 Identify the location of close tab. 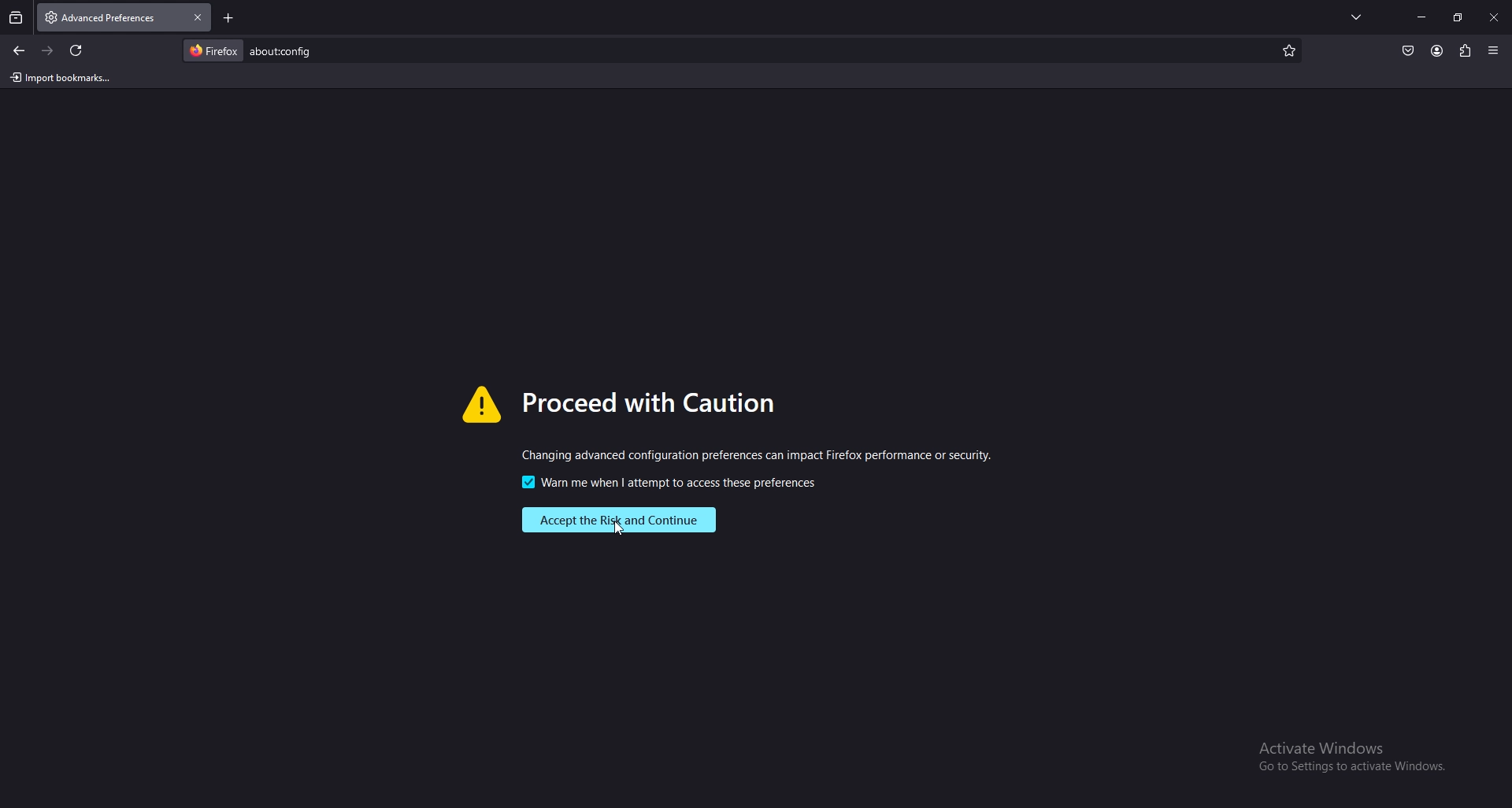
(197, 17).